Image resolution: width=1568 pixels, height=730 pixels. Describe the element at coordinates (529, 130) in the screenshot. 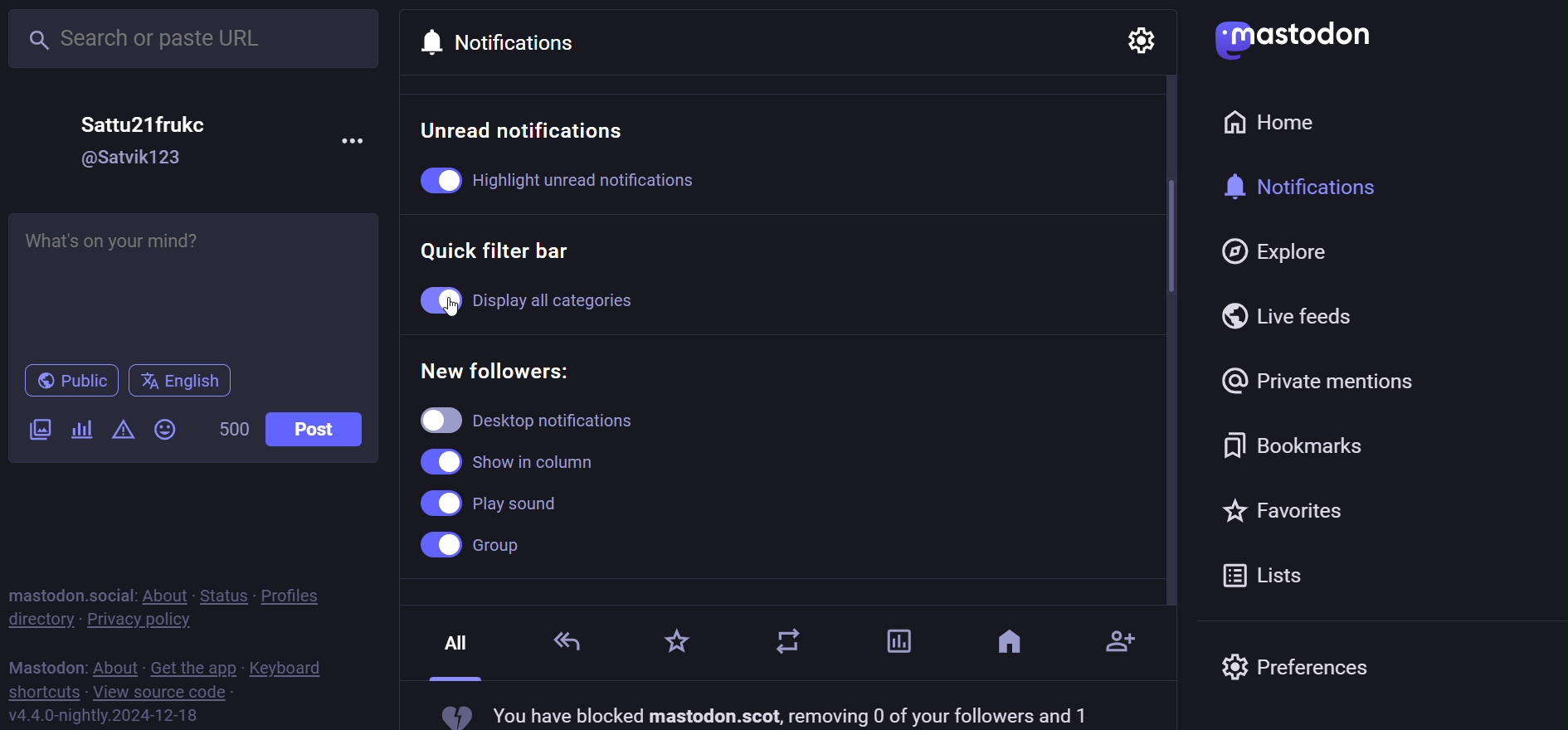

I see `unread notification` at that location.